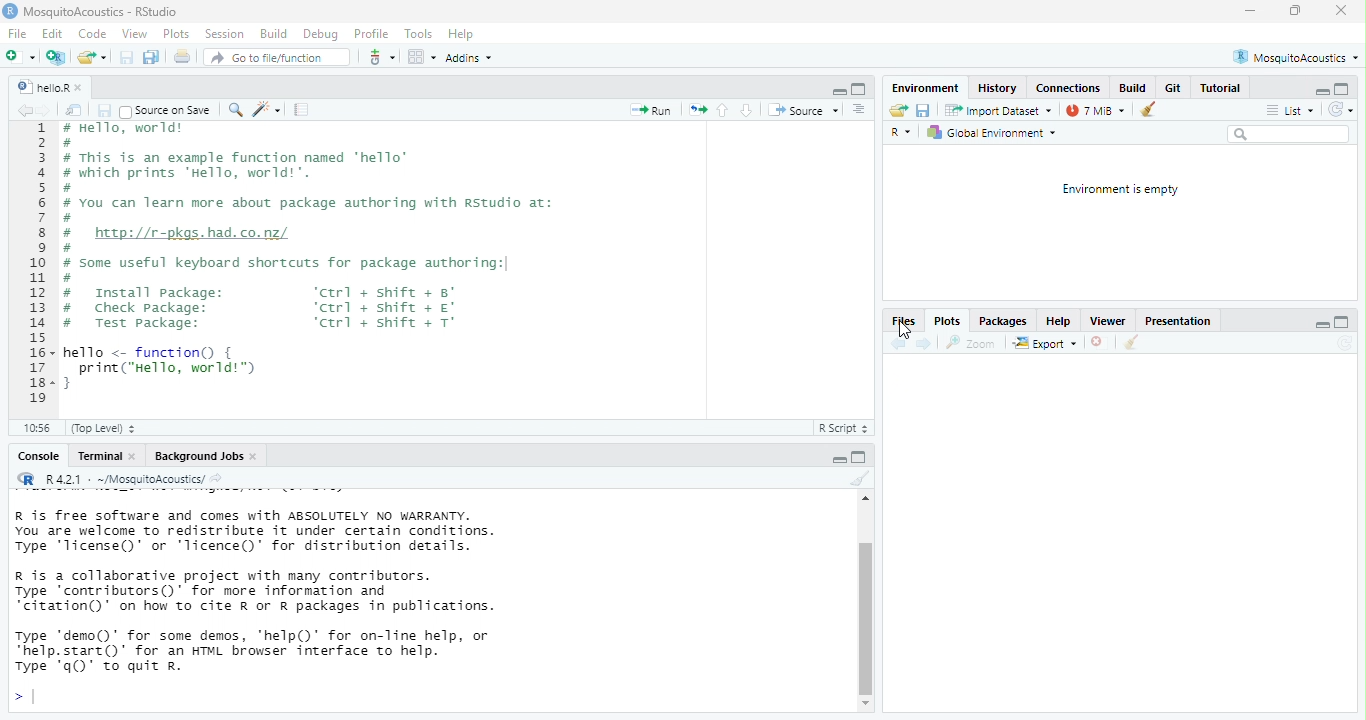 The height and width of the screenshot is (720, 1366). Describe the element at coordinates (105, 110) in the screenshot. I see `save current document` at that location.